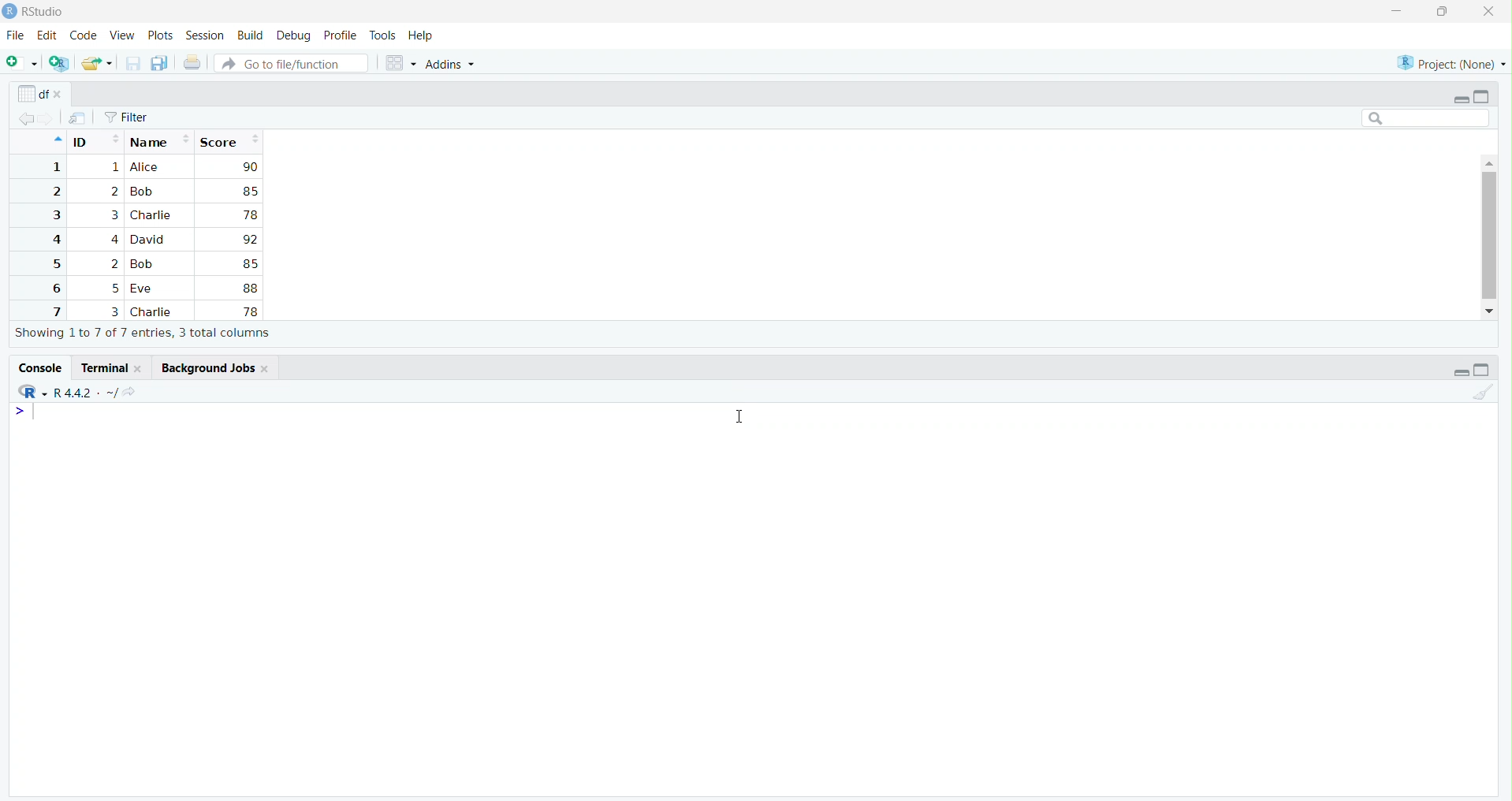 This screenshot has width=1512, height=801. Describe the element at coordinates (132, 64) in the screenshot. I see `save` at that location.